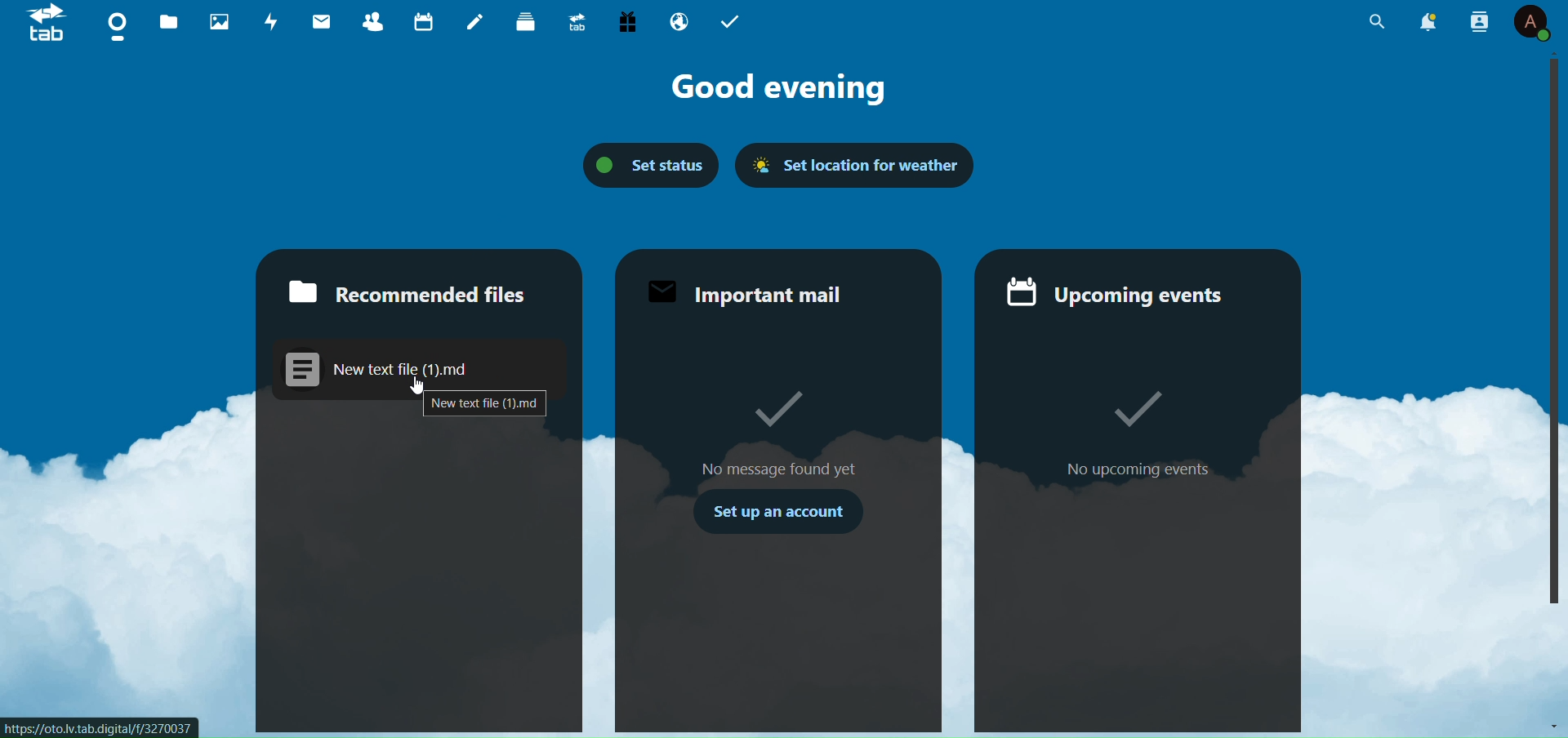 This screenshot has height=738, width=1568. I want to click on notification, so click(1431, 23).